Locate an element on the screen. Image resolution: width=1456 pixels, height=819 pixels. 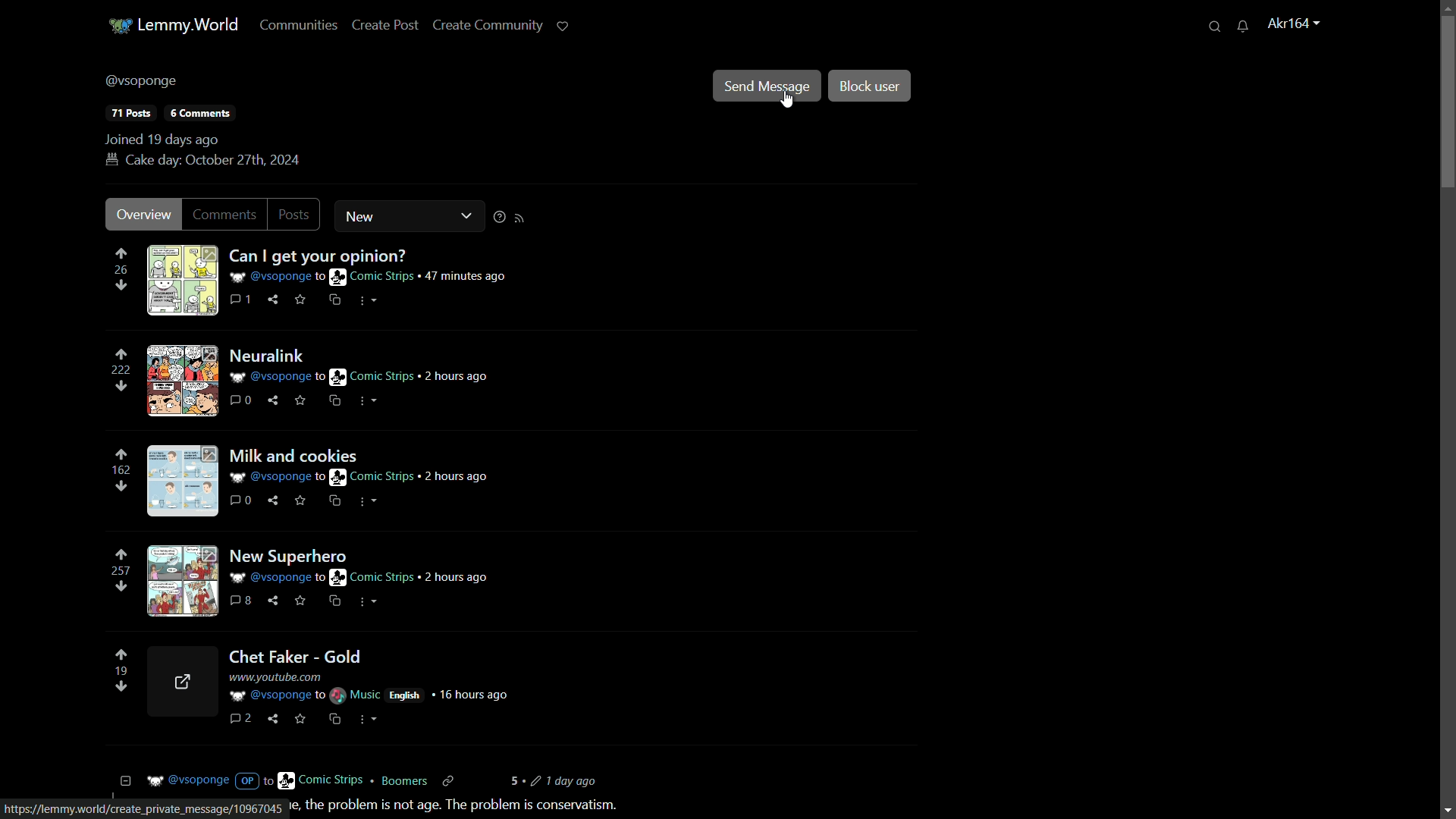
comments is located at coordinates (244, 716).